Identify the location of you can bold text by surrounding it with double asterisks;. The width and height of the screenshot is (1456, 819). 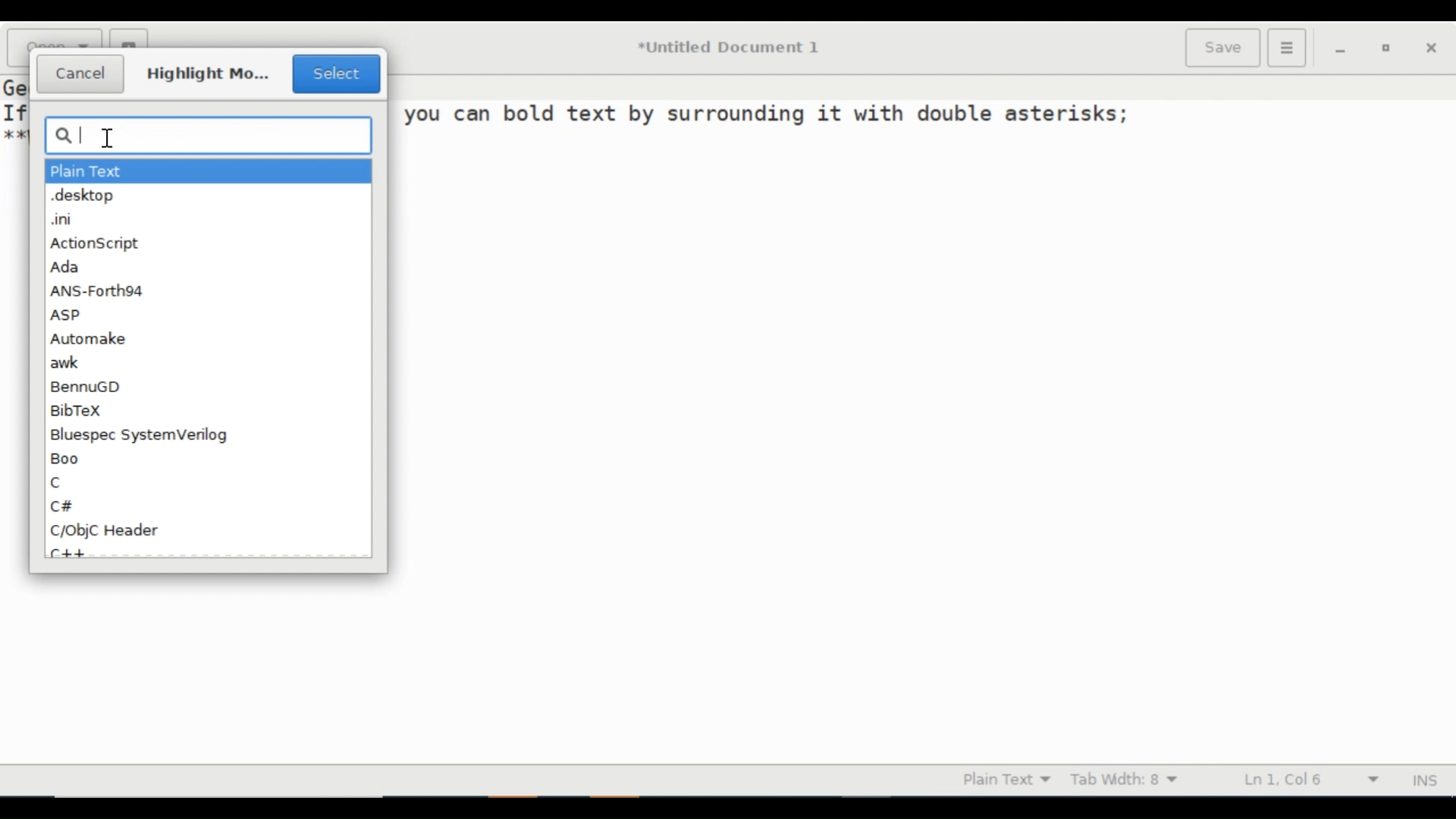
(762, 117).